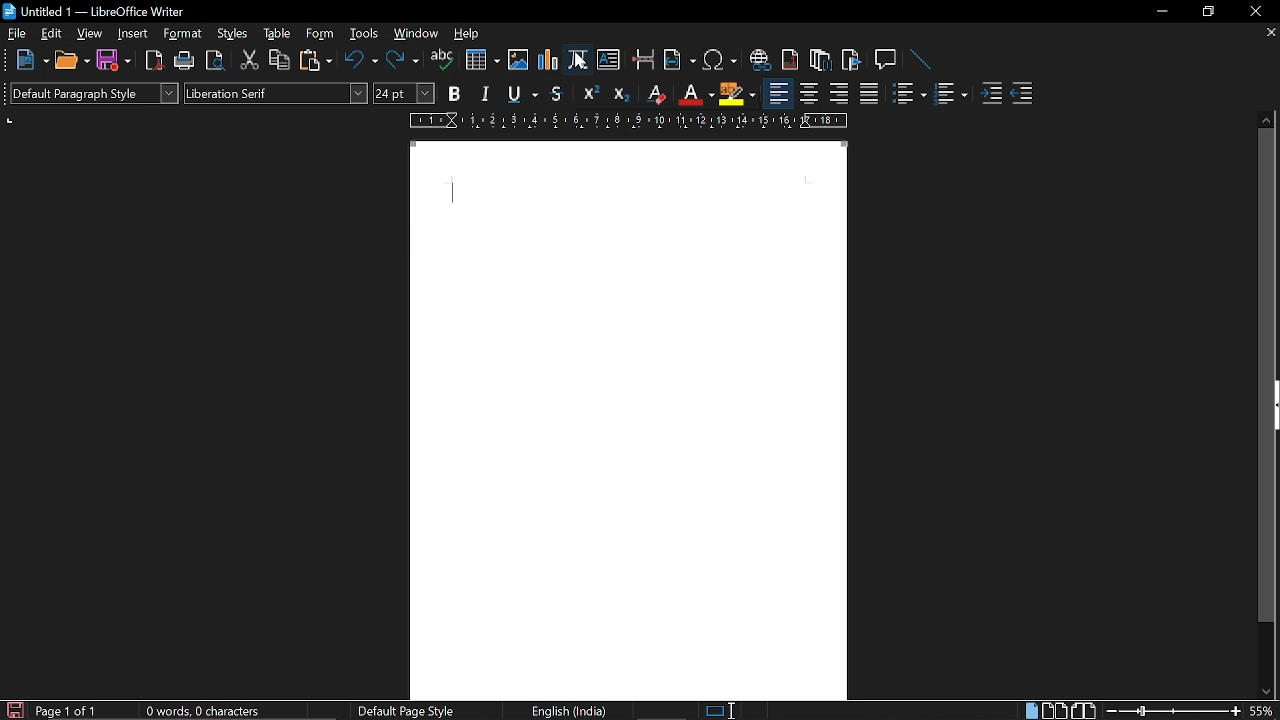 This screenshot has width=1280, height=720. What do you see at coordinates (10, 10) in the screenshot?
I see `libreoffice writer logo` at bounding box center [10, 10].